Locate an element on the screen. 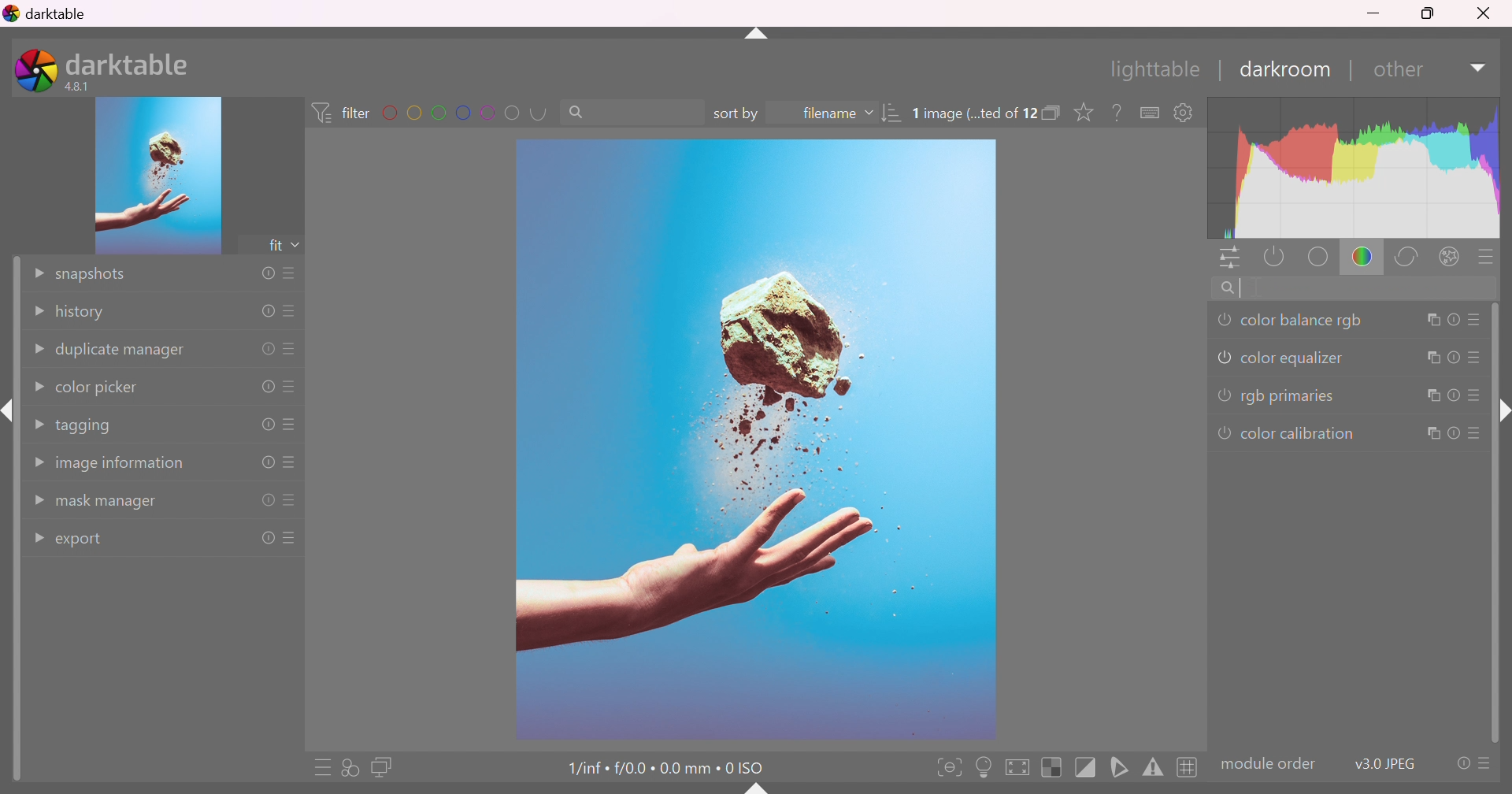  darkroom is located at coordinates (1291, 71).